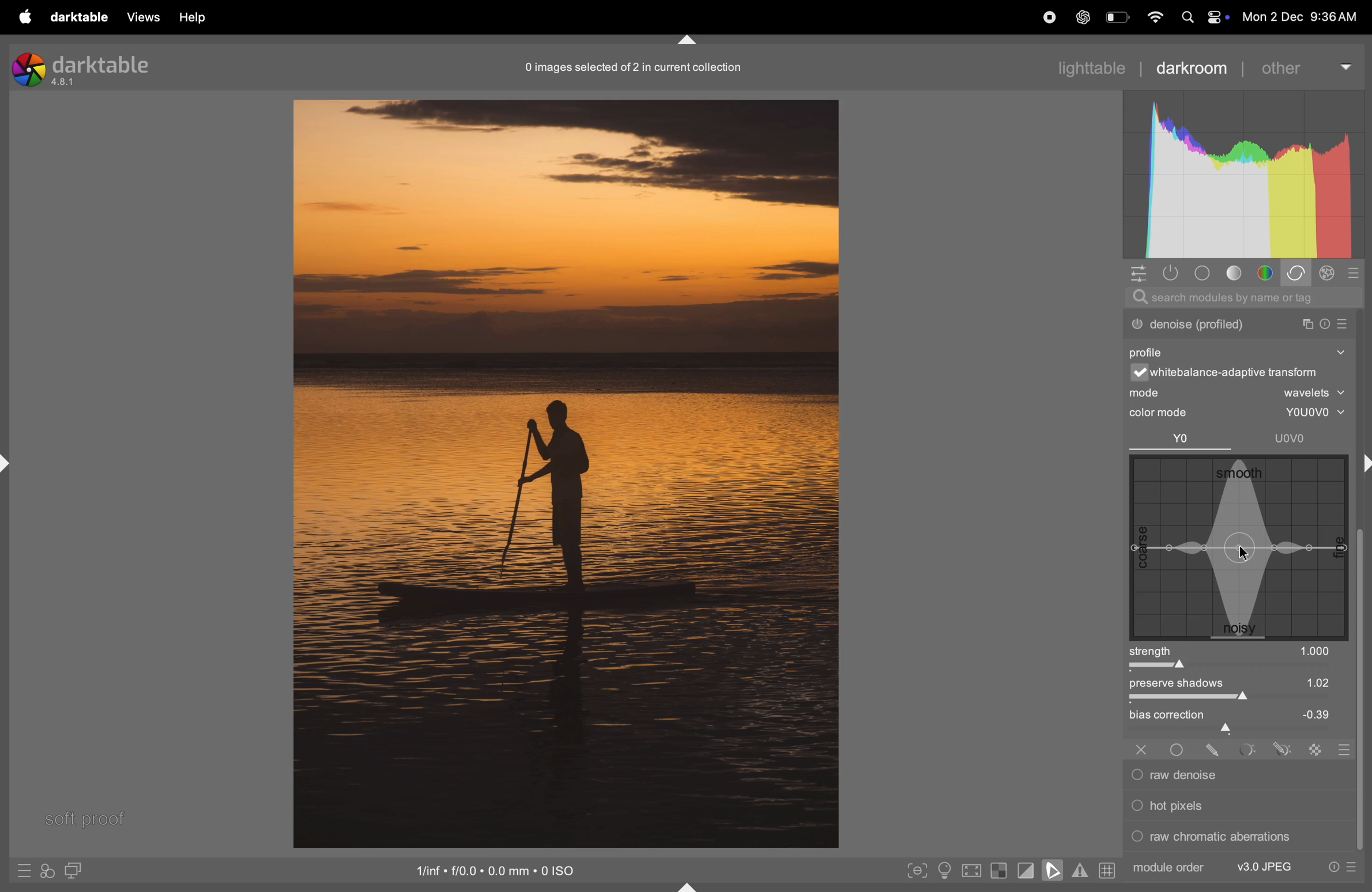 This screenshot has width=1372, height=892. Describe the element at coordinates (1117, 19) in the screenshot. I see `battery` at that location.